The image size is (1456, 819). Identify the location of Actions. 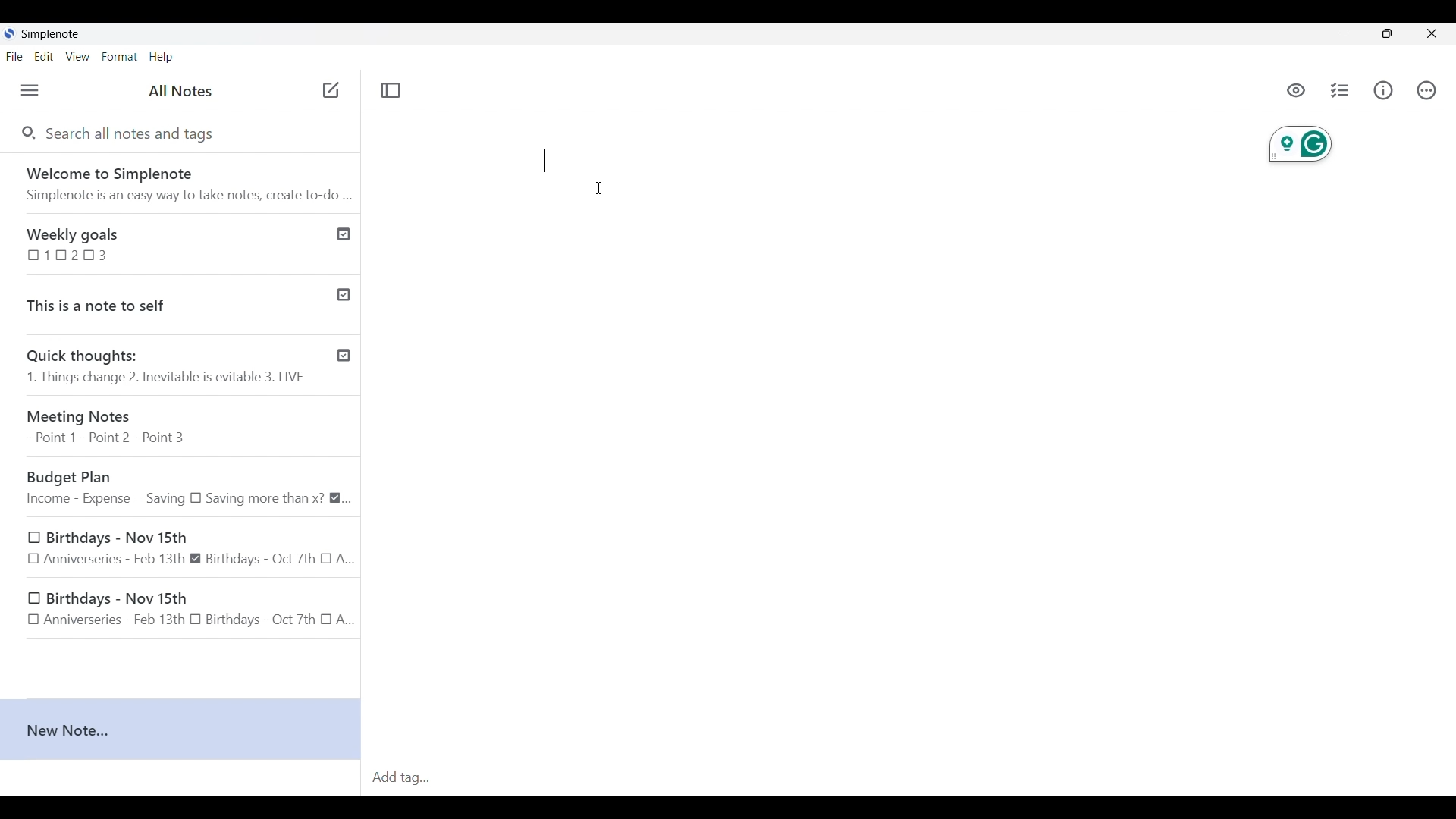
(1427, 89).